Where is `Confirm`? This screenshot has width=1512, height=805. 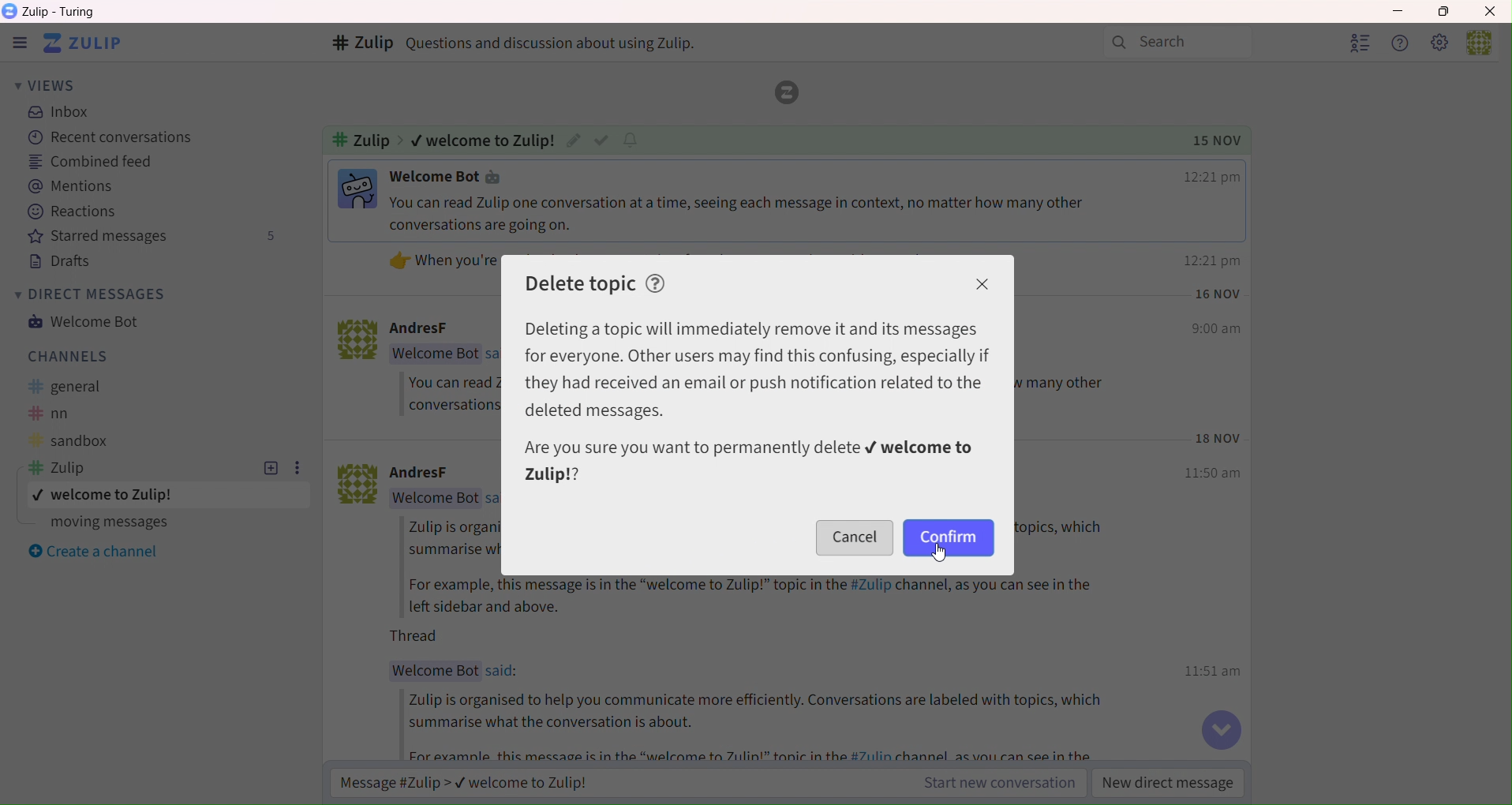
Confirm is located at coordinates (947, 537).